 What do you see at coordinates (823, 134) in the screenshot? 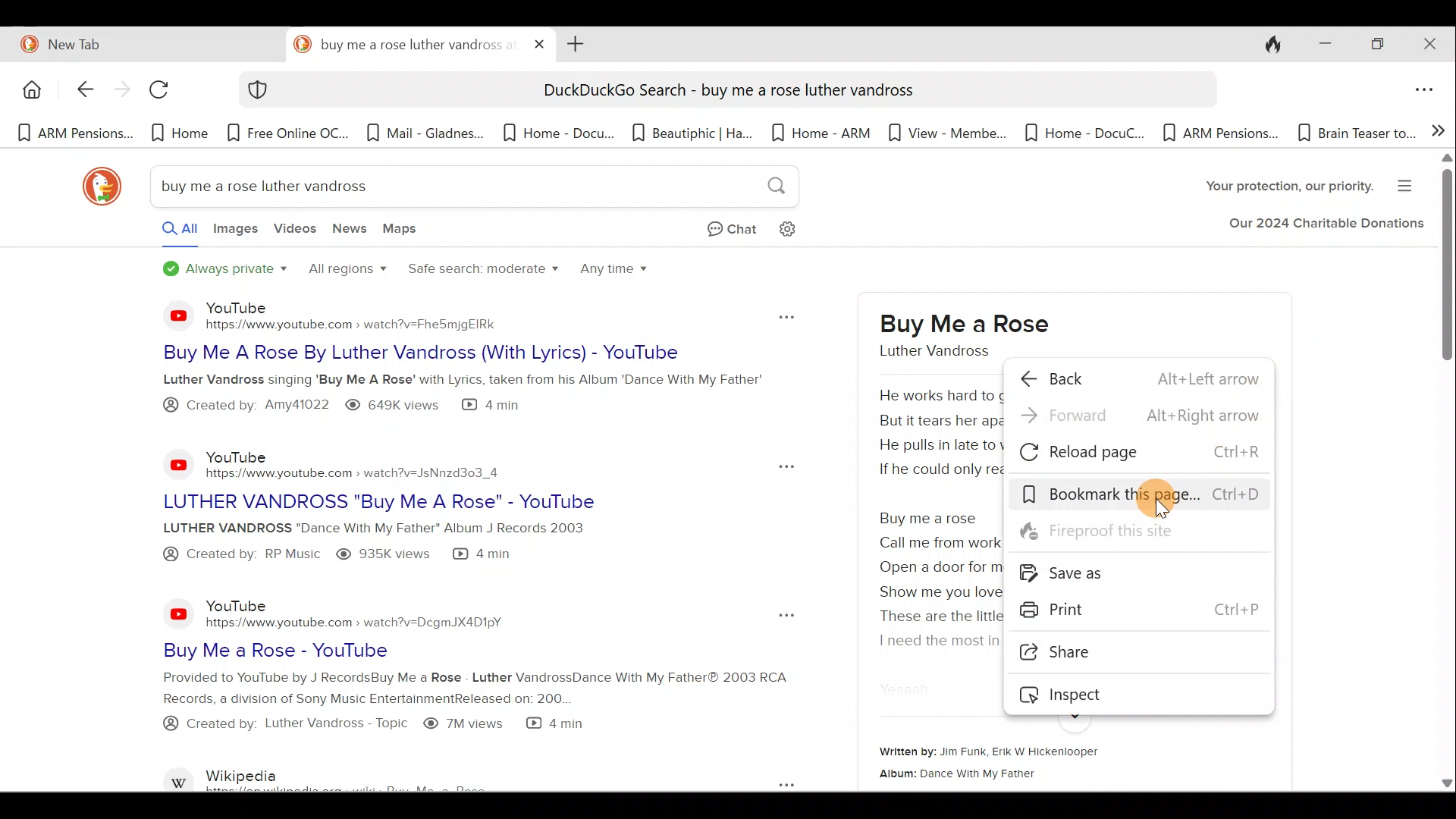
I see `Bookmark 7` at bounding box center [823, 134].